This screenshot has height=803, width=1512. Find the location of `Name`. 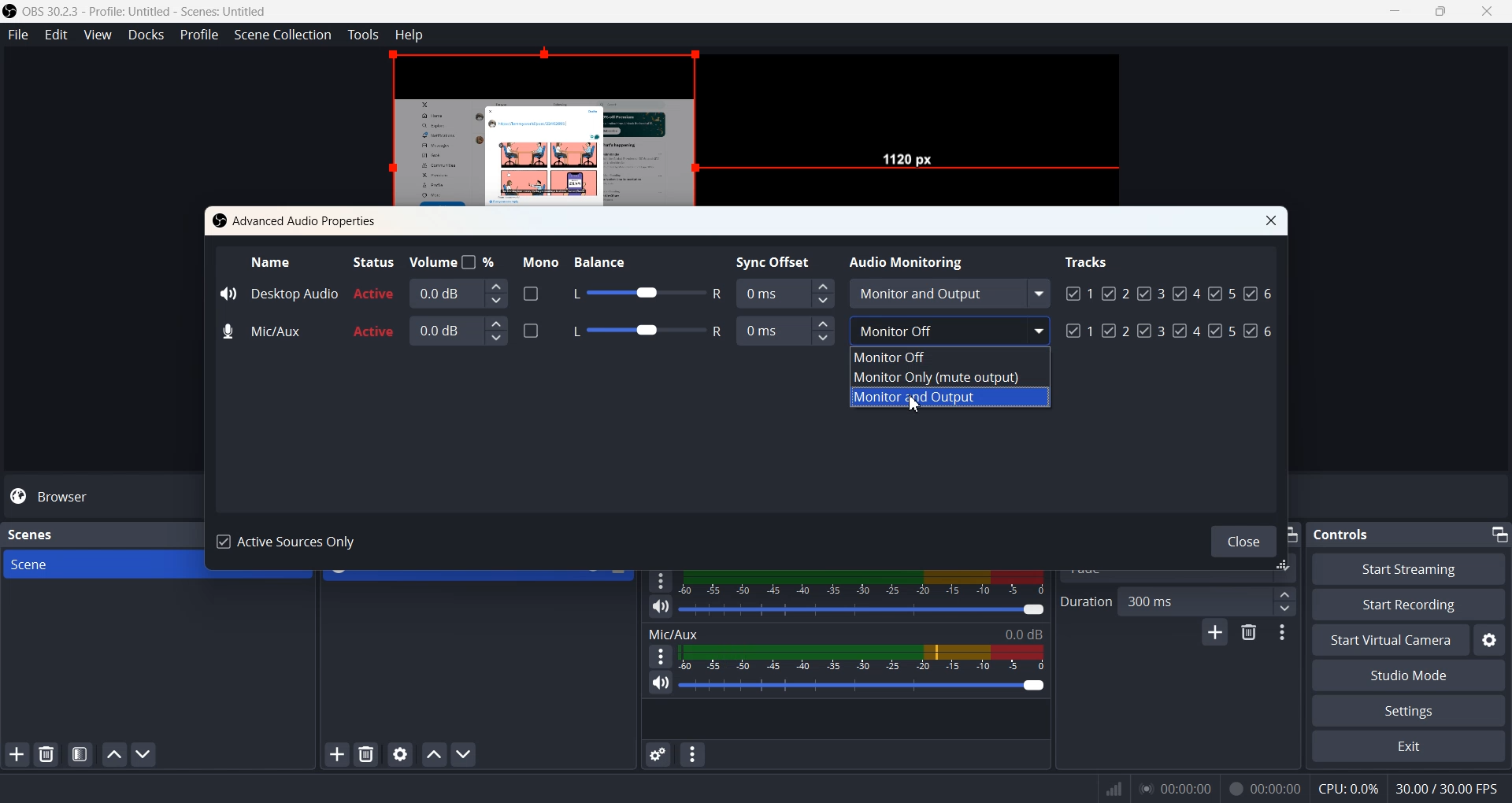

Name is located at coordinates (272, 261).